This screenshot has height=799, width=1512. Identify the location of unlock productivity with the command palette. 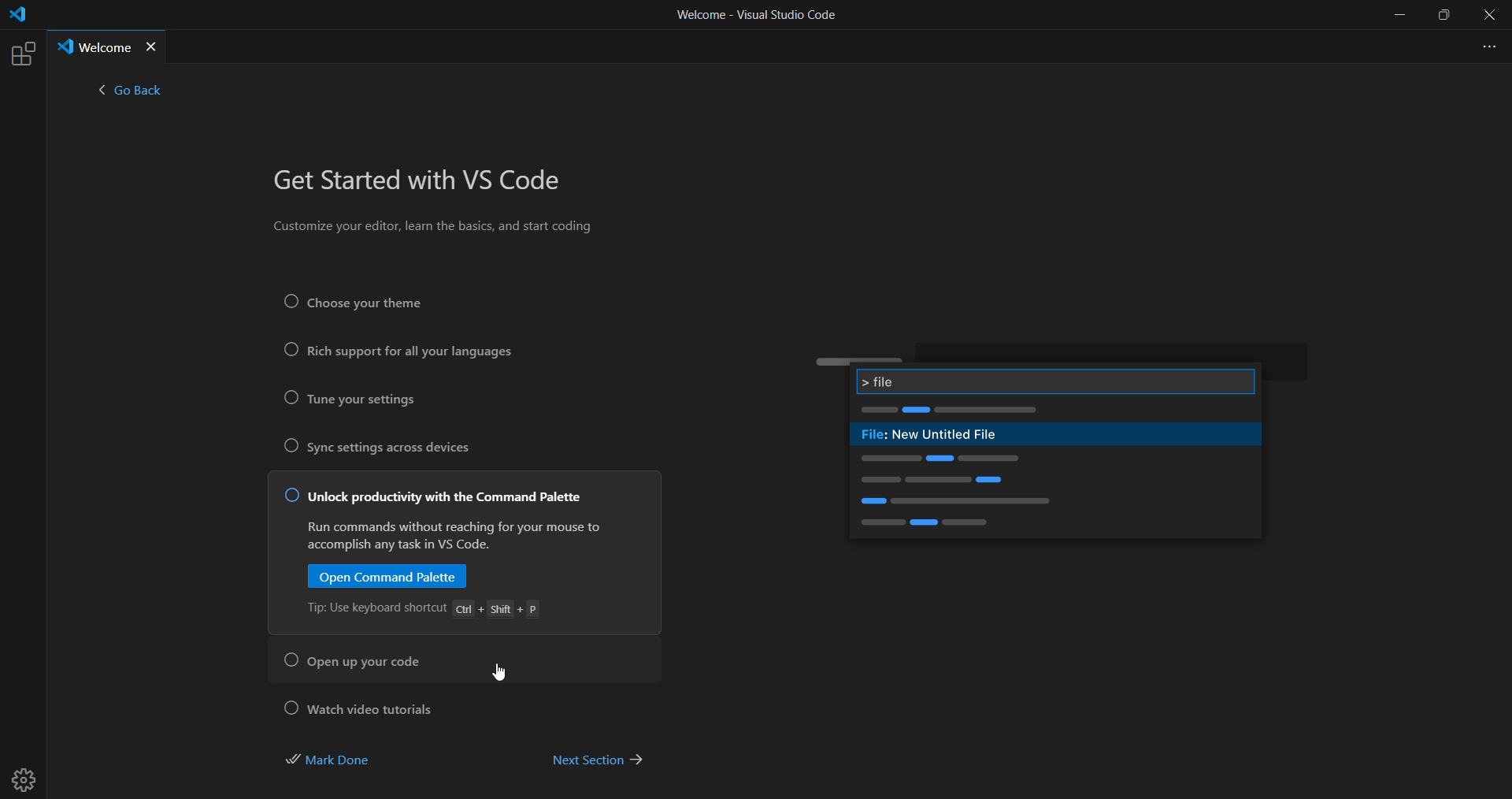
(439, 500).